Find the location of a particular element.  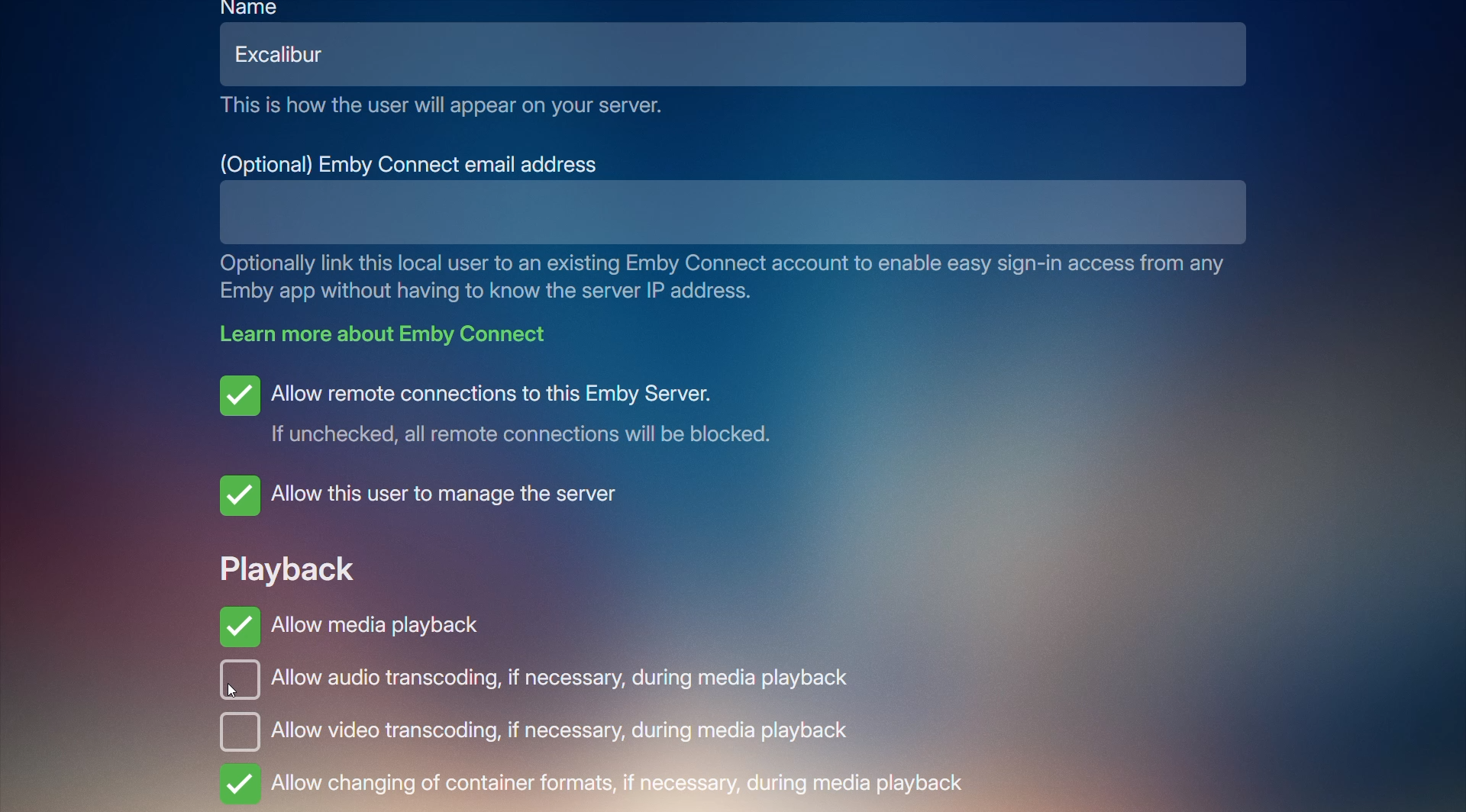

Allow media playback is located at coordinates (350, 621).